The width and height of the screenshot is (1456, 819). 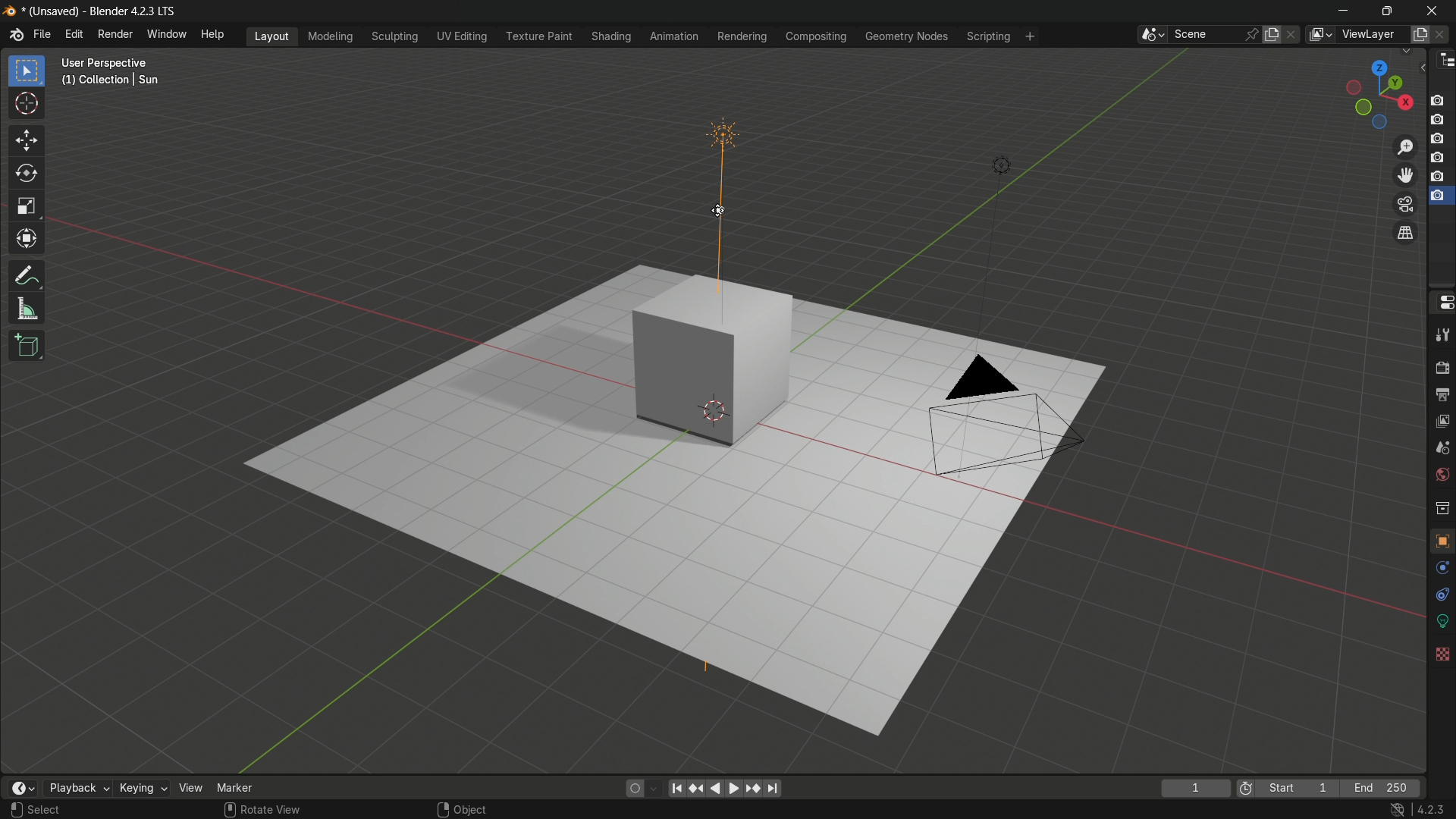 What do you see at coordinates (726, 789) in the screenshot?
I see `play animation` at bounding box center [726, 789].